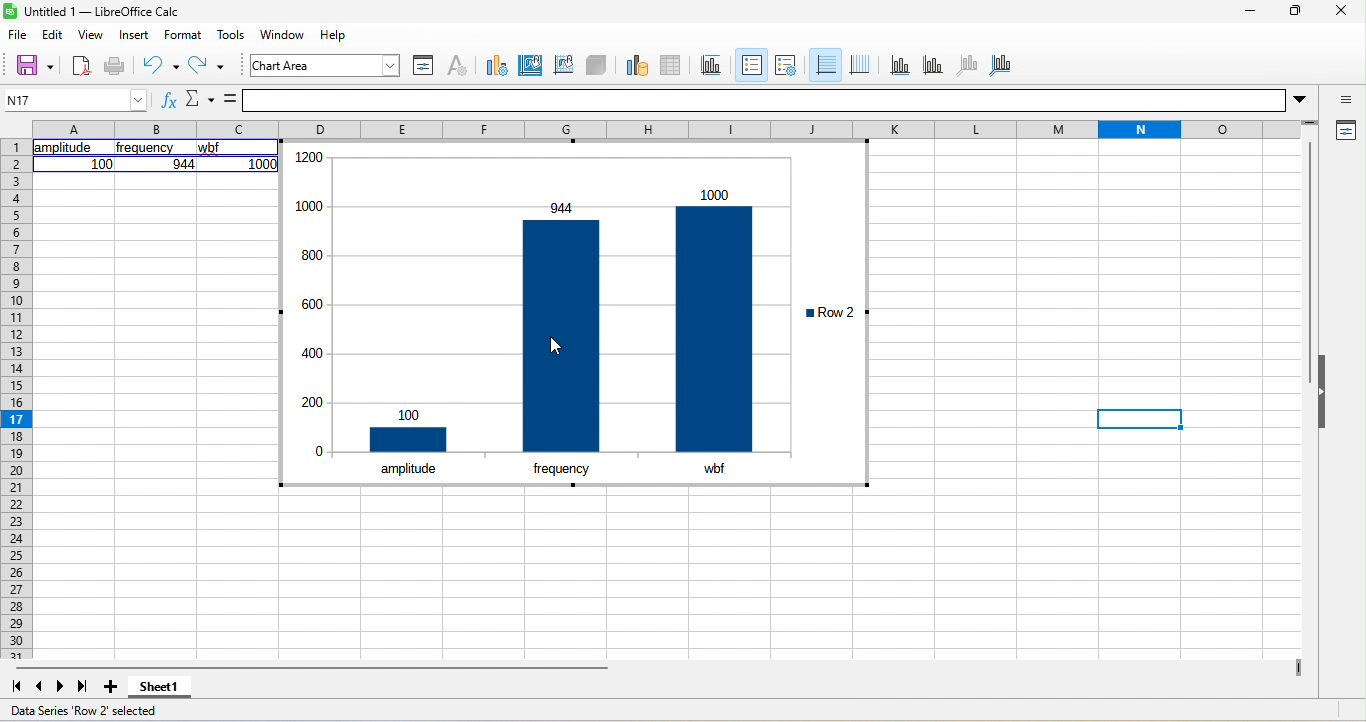 The height and width of the screenshot is (722, 1366). What do you see at coordinates (672, 69) in the screenshot?
I see `data table` at bounding box center [672, 69].